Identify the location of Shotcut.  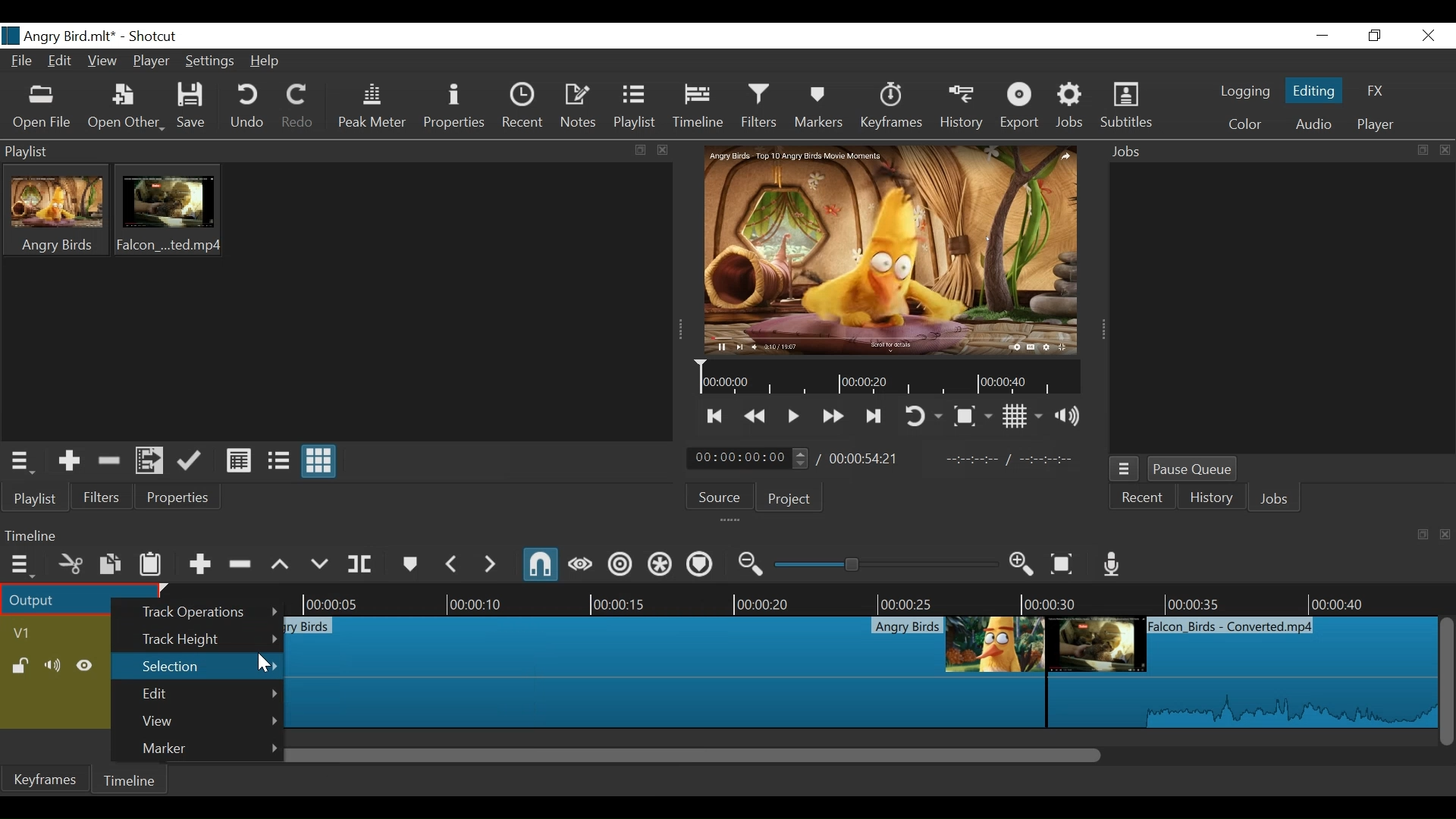
(153, 36).